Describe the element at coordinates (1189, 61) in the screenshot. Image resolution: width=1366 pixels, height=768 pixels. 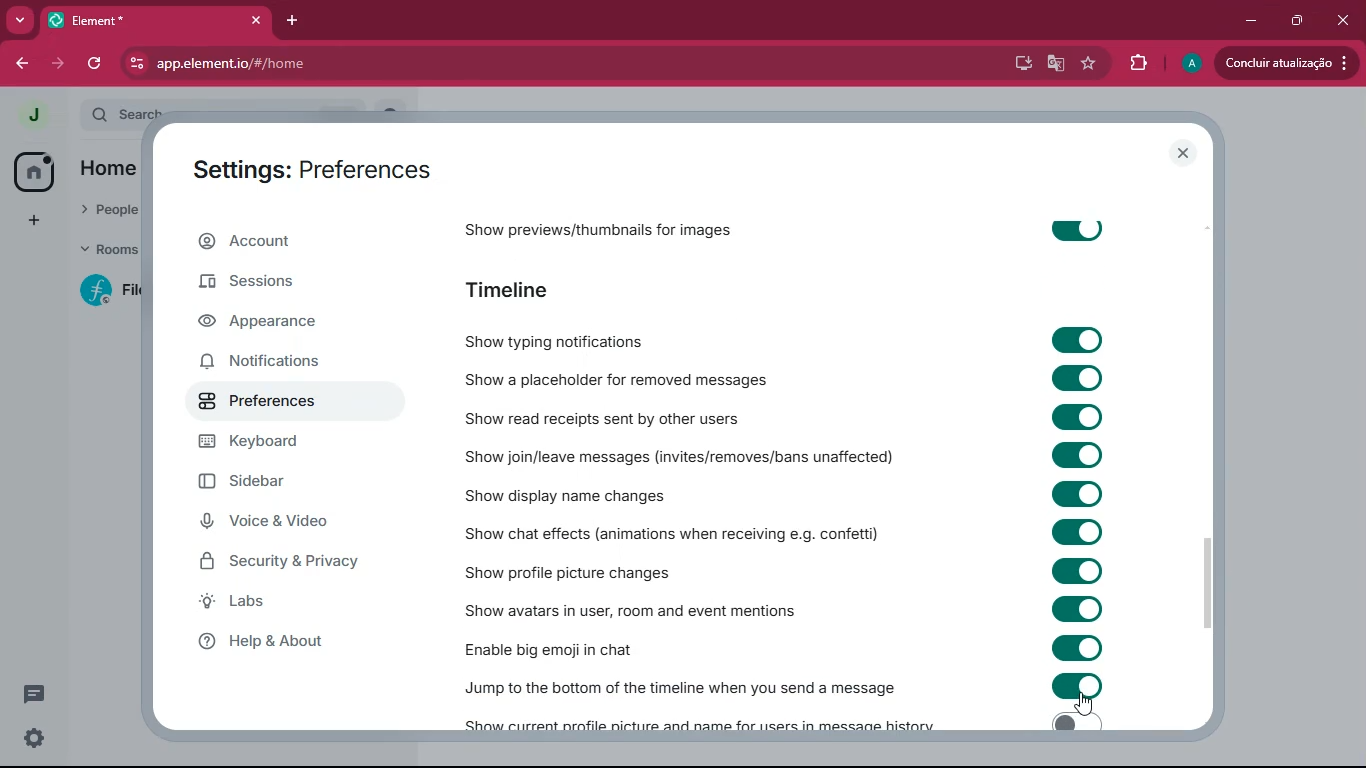
I see `A` at that location.